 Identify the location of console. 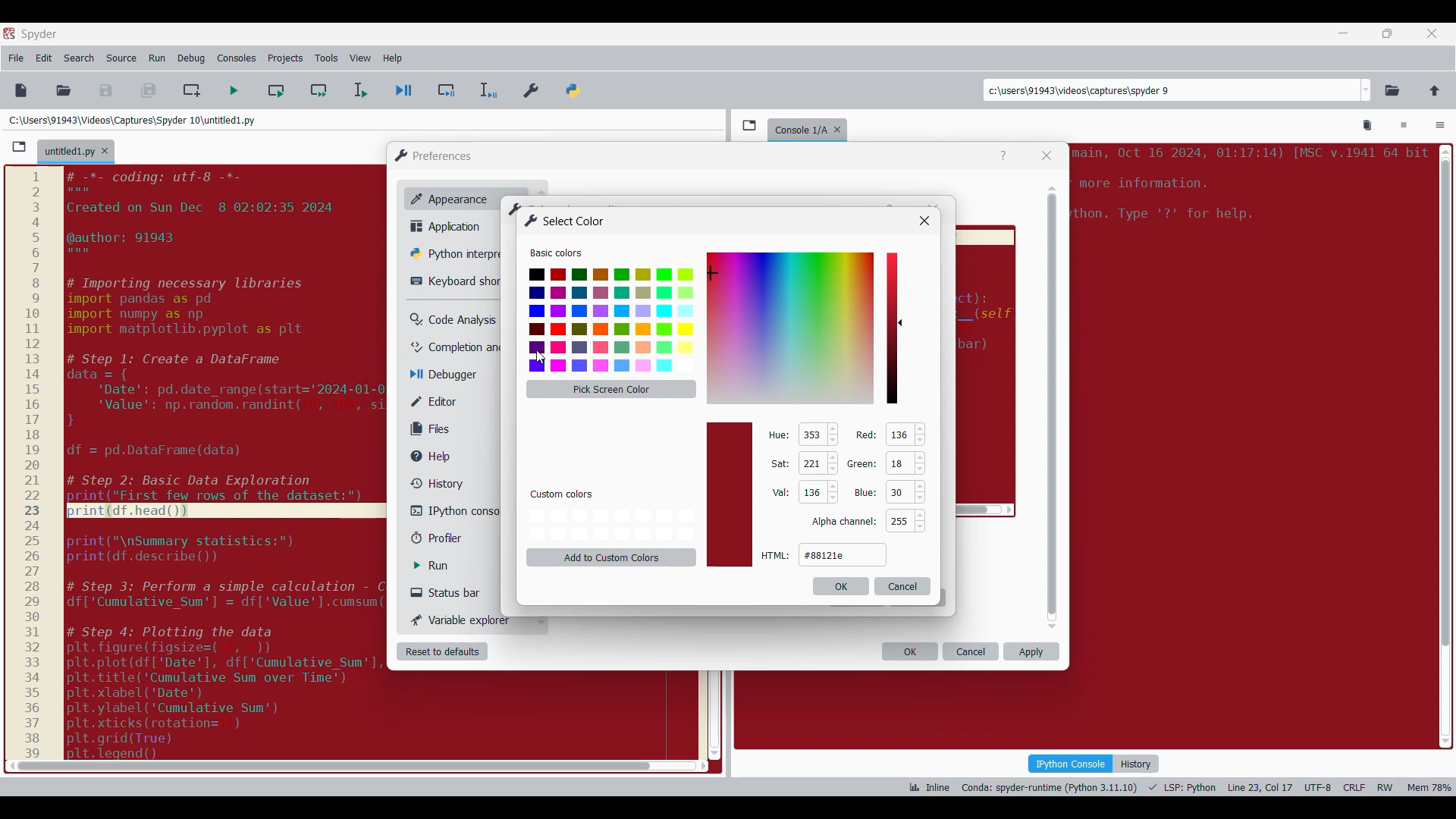
(798, 128).